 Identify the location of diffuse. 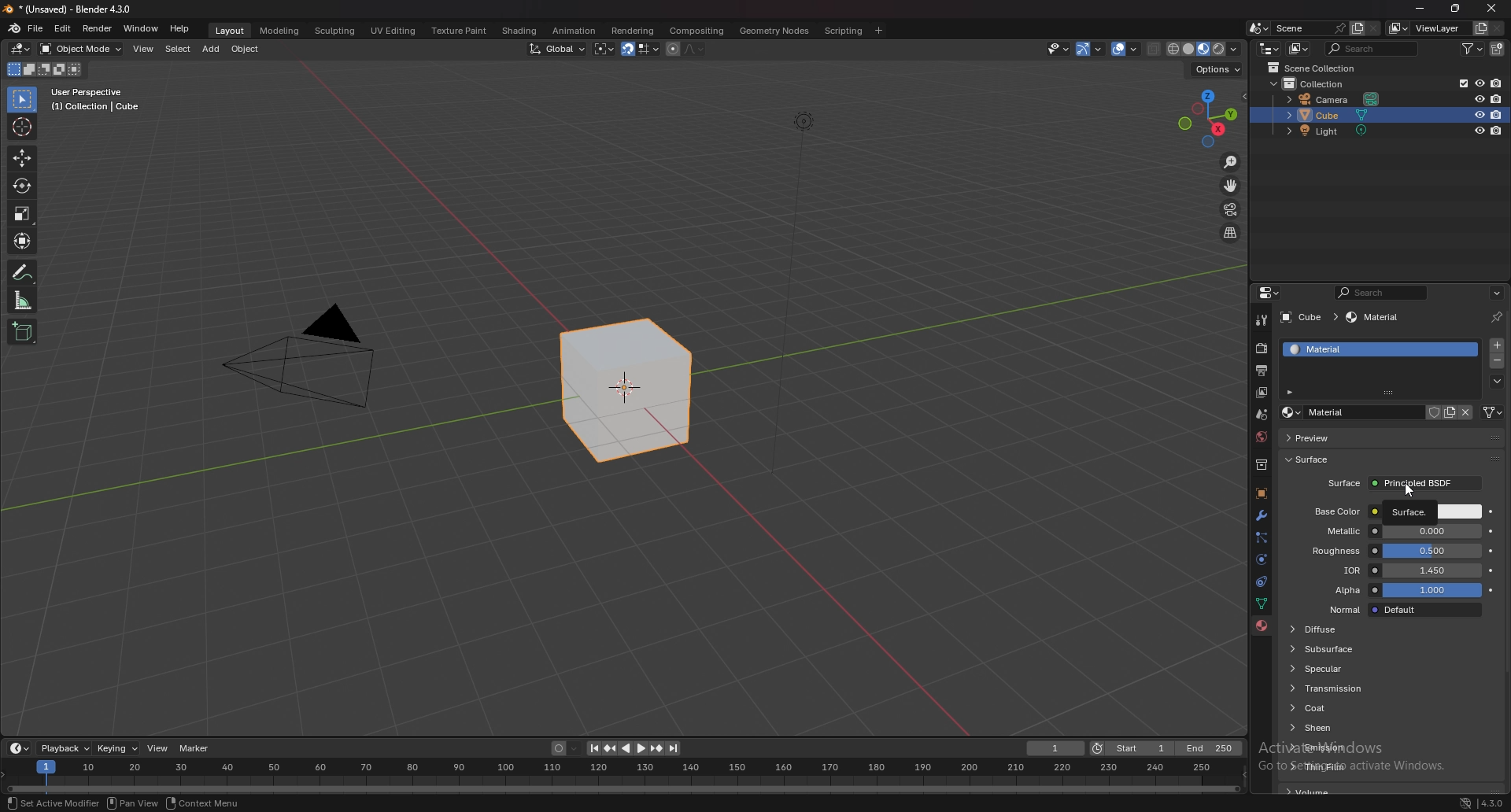
(1342, 629).